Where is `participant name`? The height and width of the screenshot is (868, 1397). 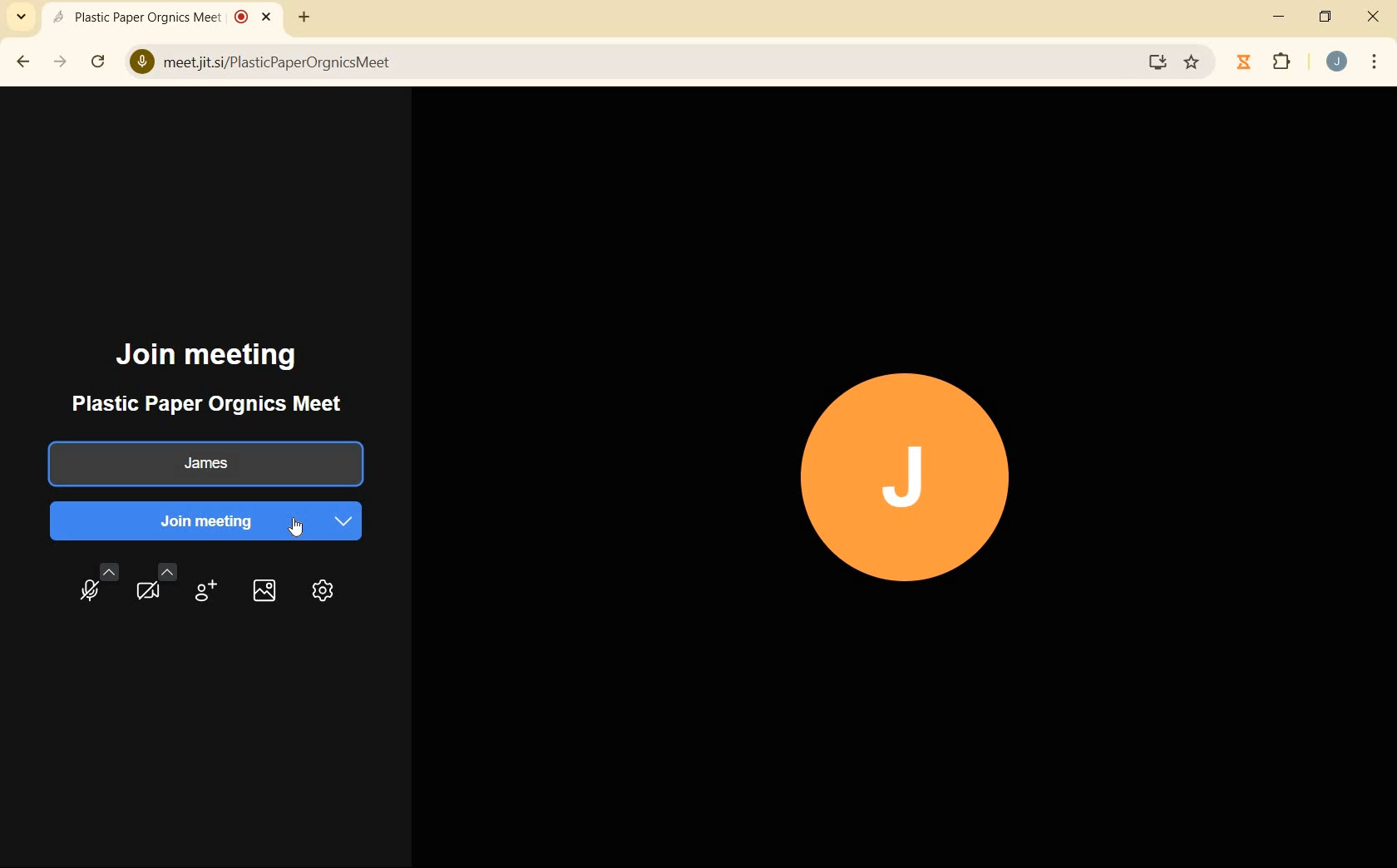
participant name is located at coordinates (201, 464).